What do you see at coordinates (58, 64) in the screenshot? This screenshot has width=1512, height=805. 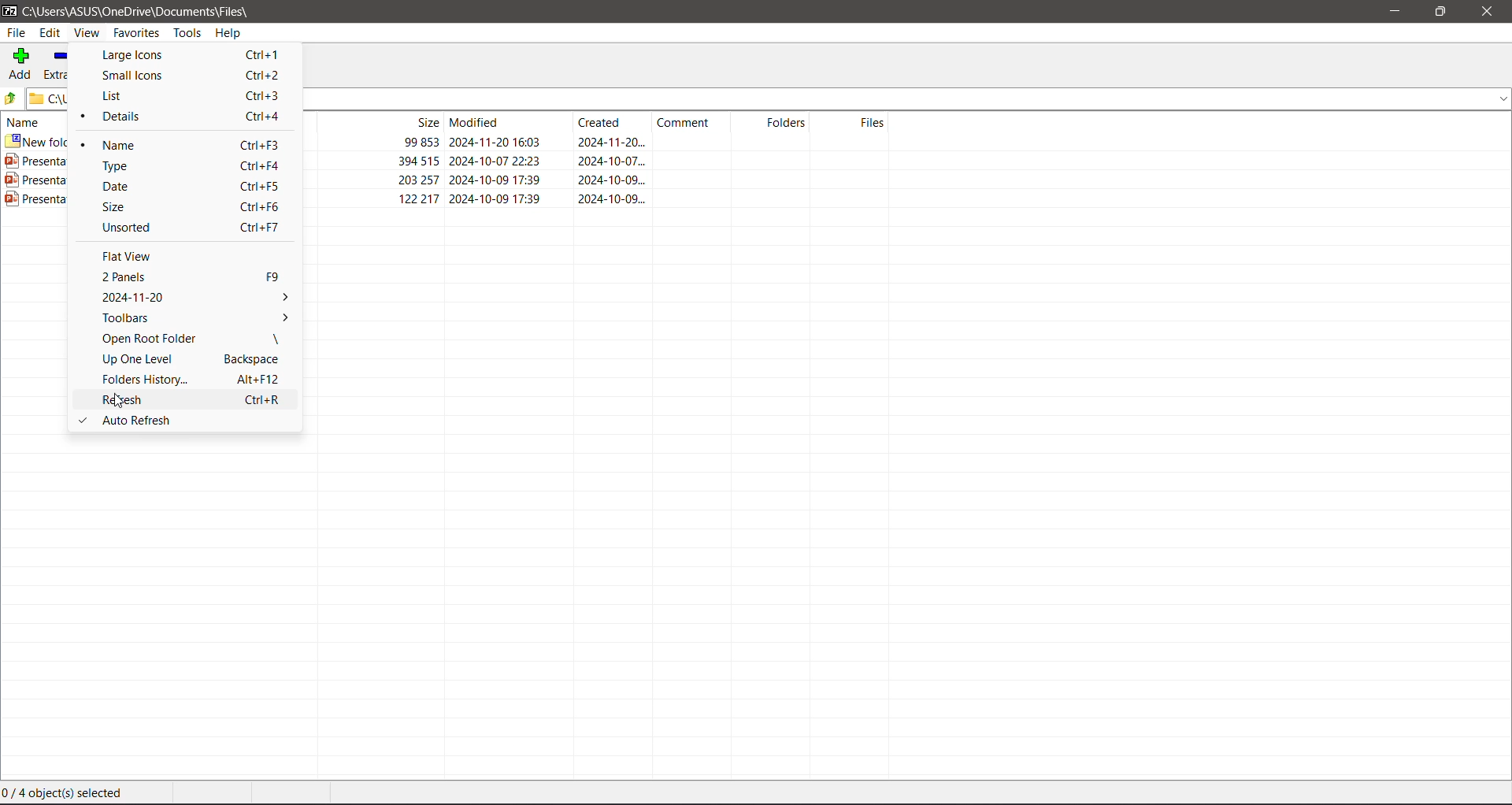 I see `extra` at bounding box center [58, 64].